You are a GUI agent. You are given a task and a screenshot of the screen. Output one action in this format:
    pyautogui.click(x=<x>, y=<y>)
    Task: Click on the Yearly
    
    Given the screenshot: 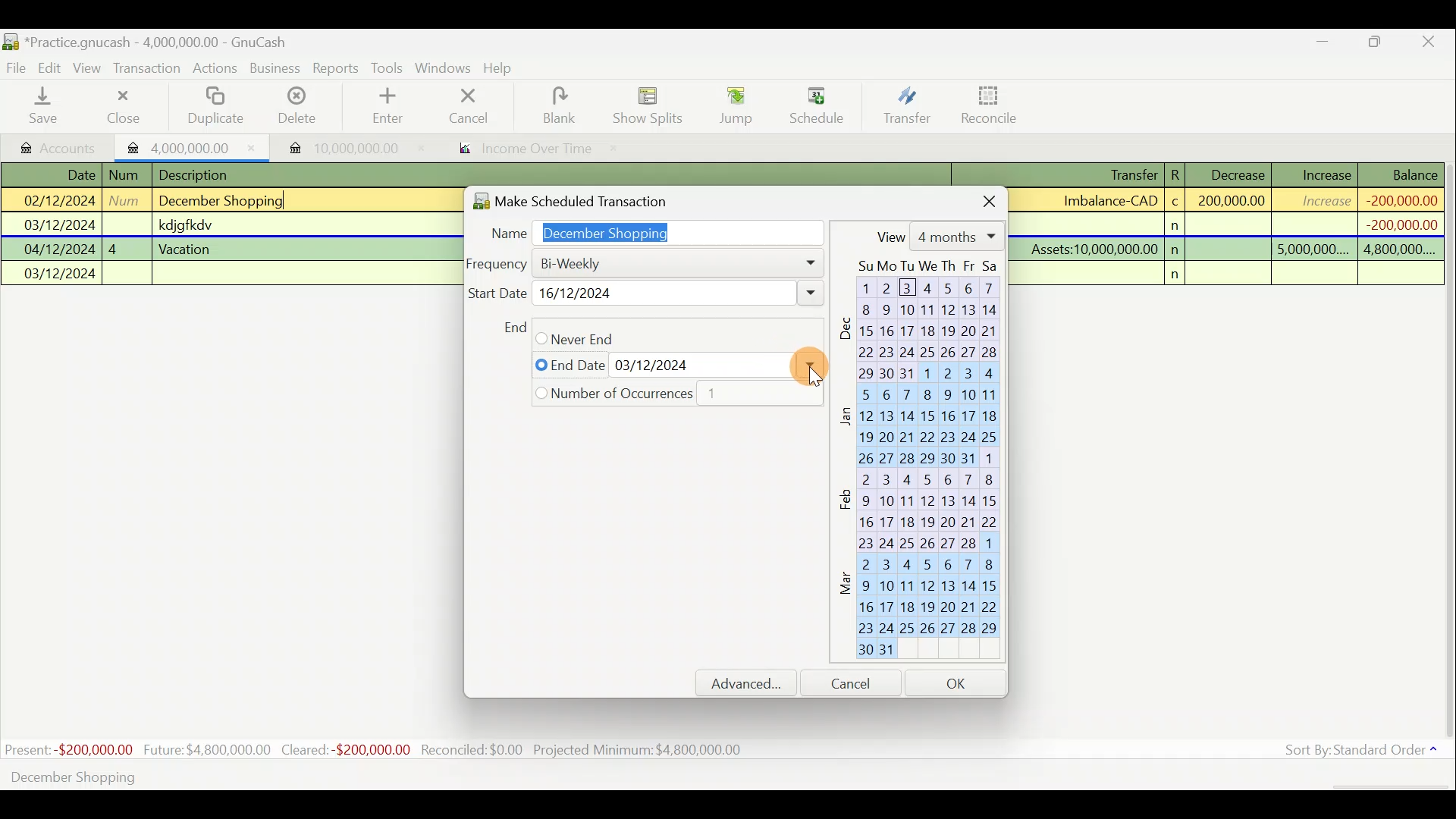 What is the action you would take?
    pyautogui.click(x=631, y=399)
    